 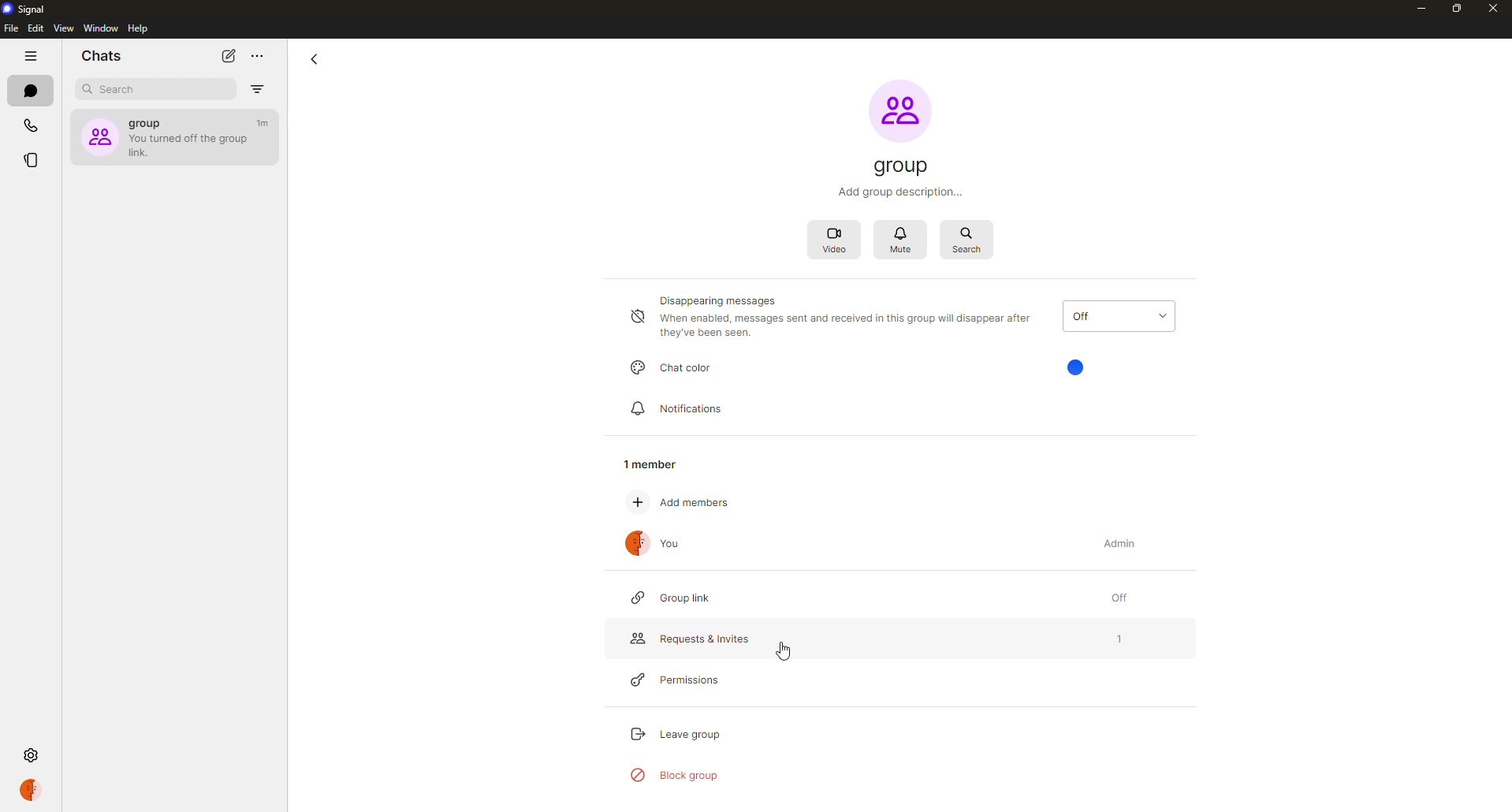 I want to click on you, so click(x=657, y=546).